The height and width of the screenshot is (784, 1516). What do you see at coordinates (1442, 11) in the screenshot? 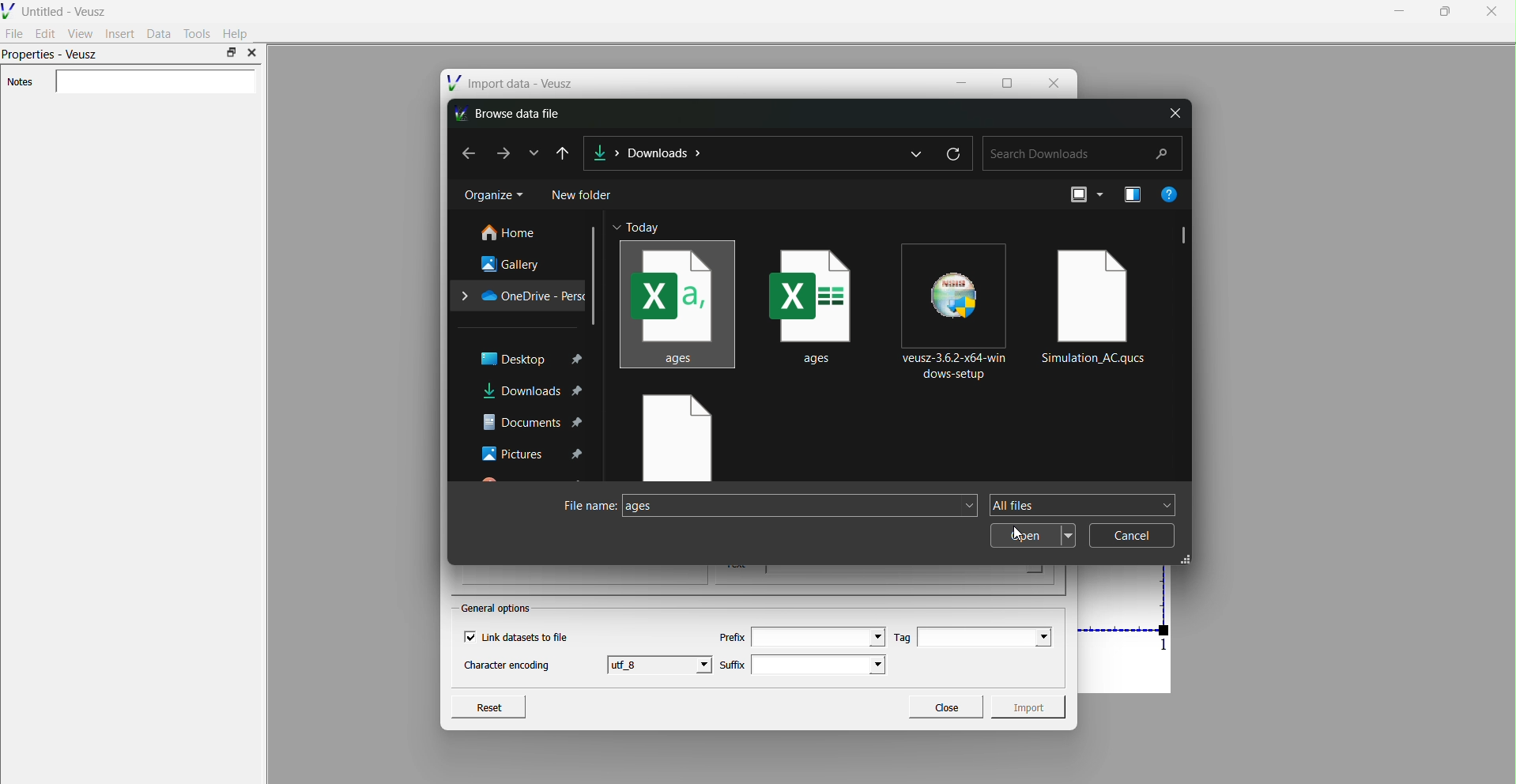
I see `maximise` at bounding box center [1442, 11].